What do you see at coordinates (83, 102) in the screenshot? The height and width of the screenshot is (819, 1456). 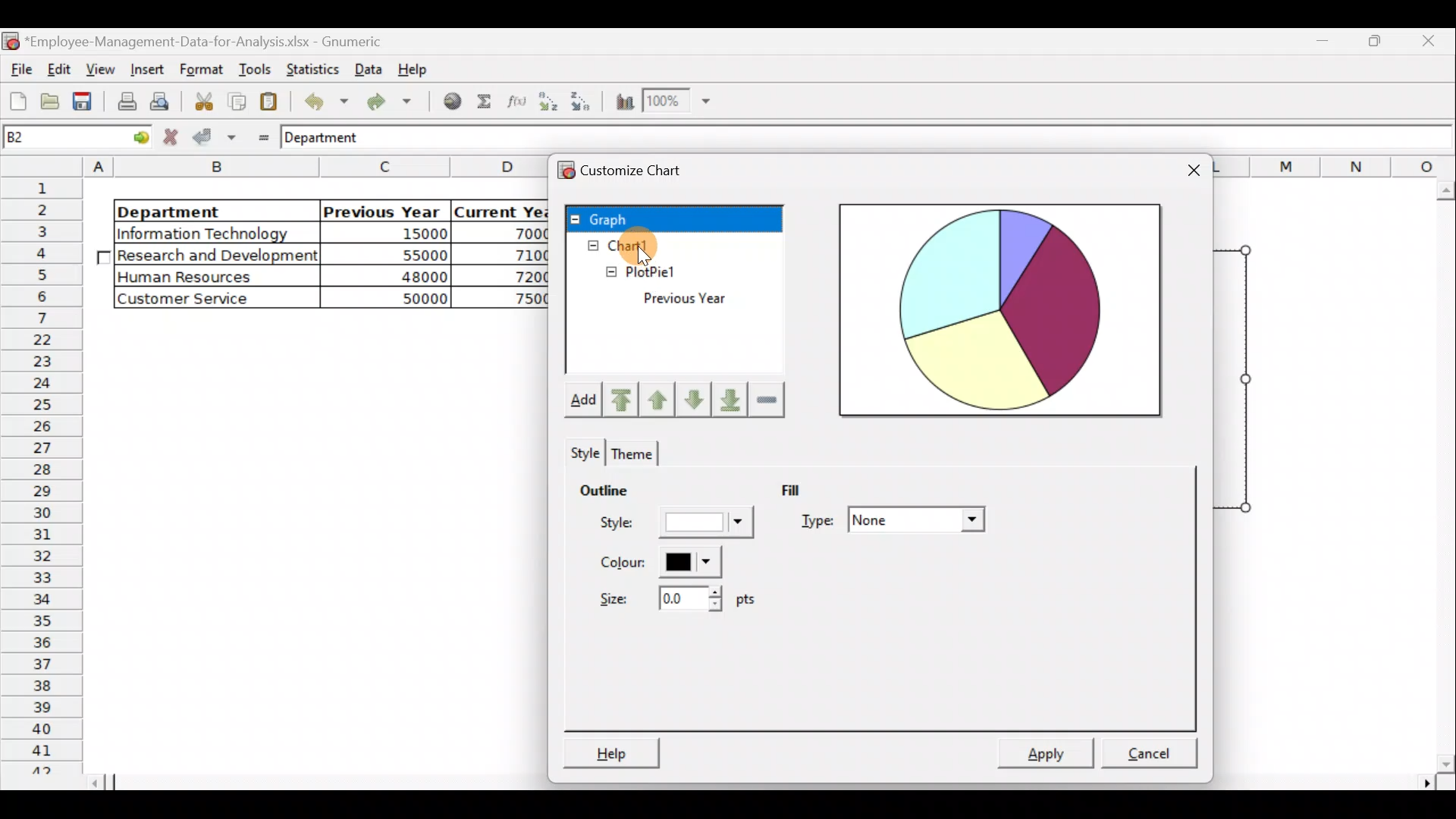 I see `Save the current workbook` at bounding box center [83, 102].